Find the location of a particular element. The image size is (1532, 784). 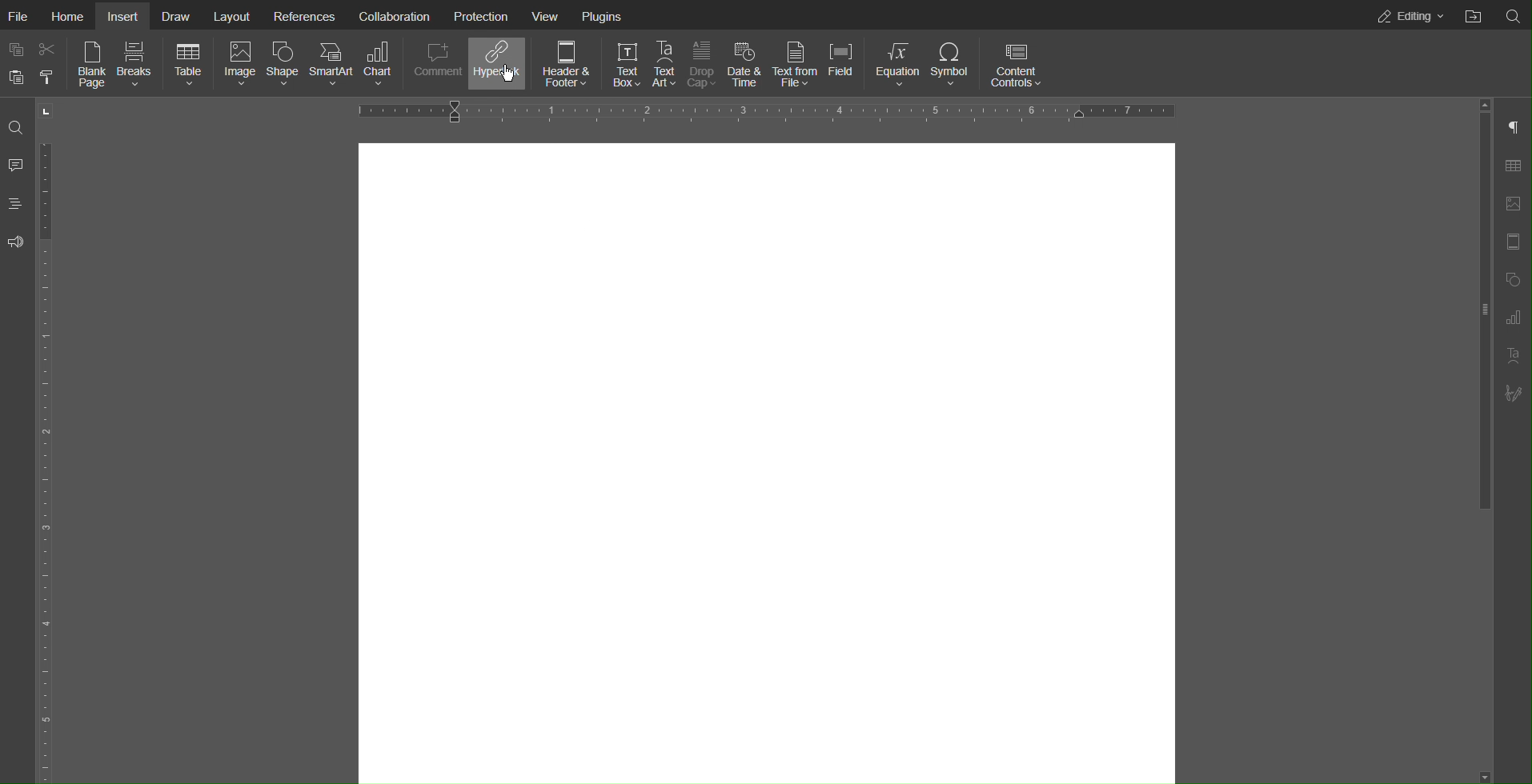

SmartArt is located at coordinates (332, 65).